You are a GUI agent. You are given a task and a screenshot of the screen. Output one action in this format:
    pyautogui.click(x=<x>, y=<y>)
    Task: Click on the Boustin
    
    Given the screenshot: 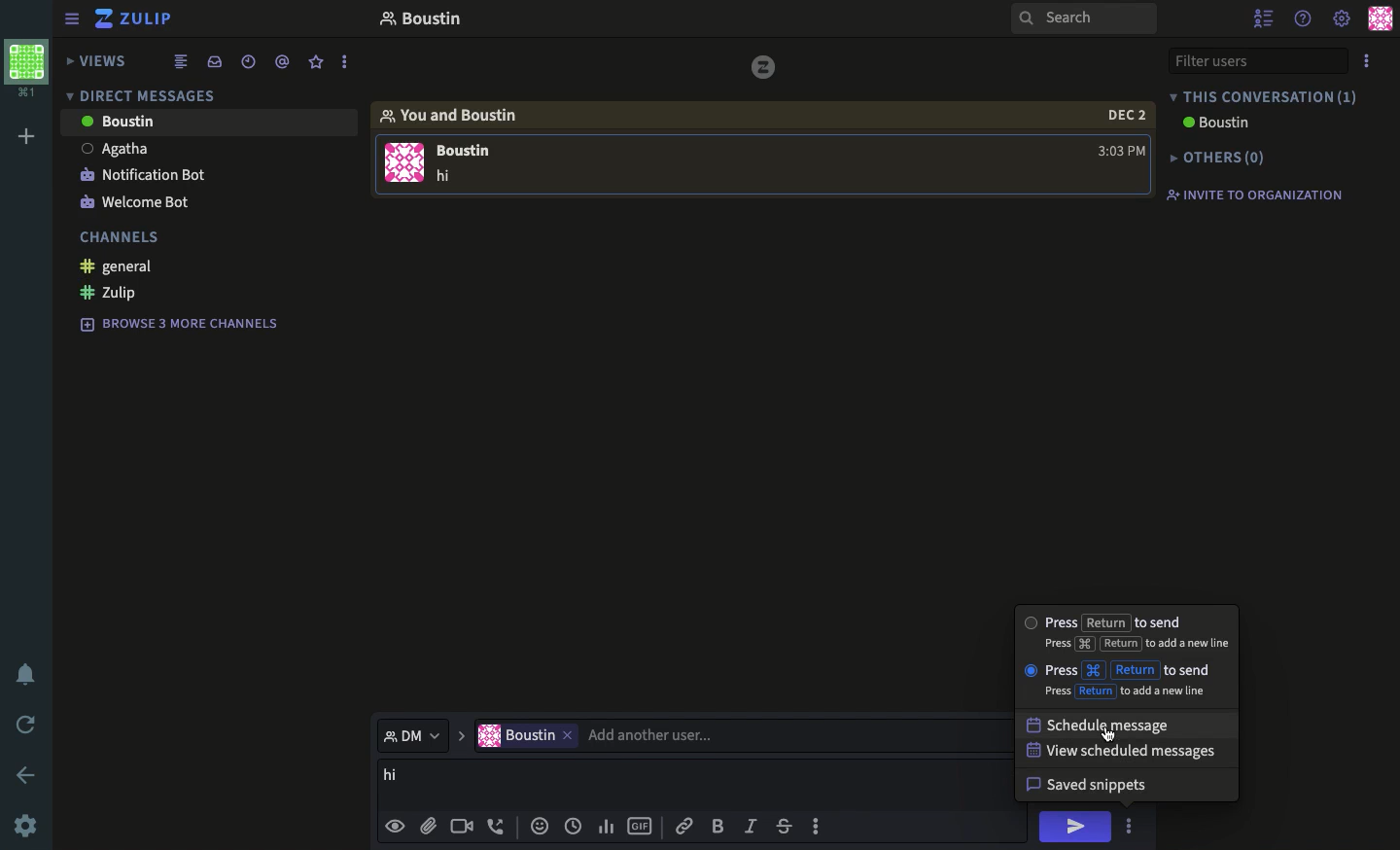 What is the action you would take?
    pyautogui.click(x=118, y=121)
    